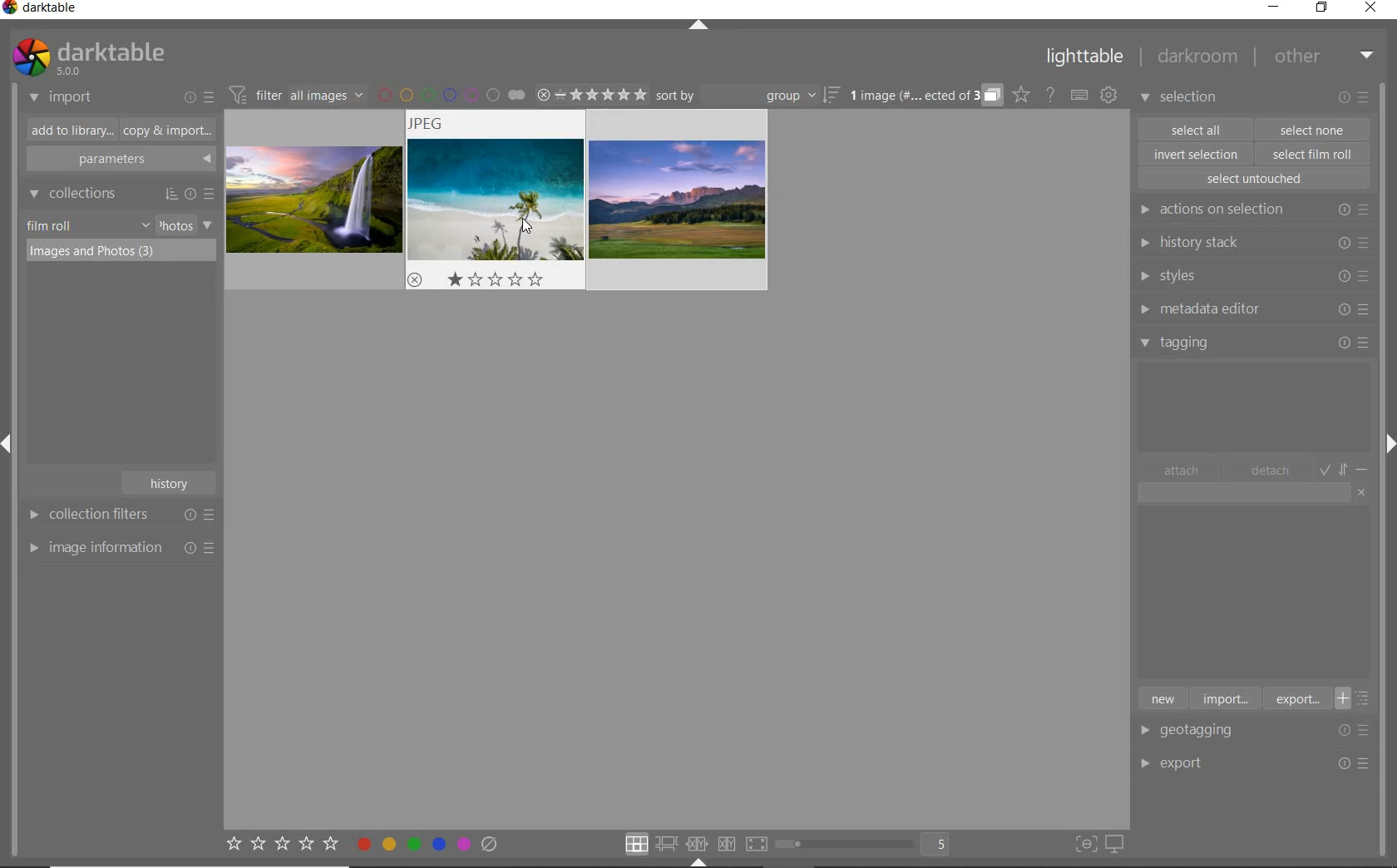  What do you see at coordinates (164, 131) in the screenshot?
I see `copy & import` at bounding box center [164, 131].